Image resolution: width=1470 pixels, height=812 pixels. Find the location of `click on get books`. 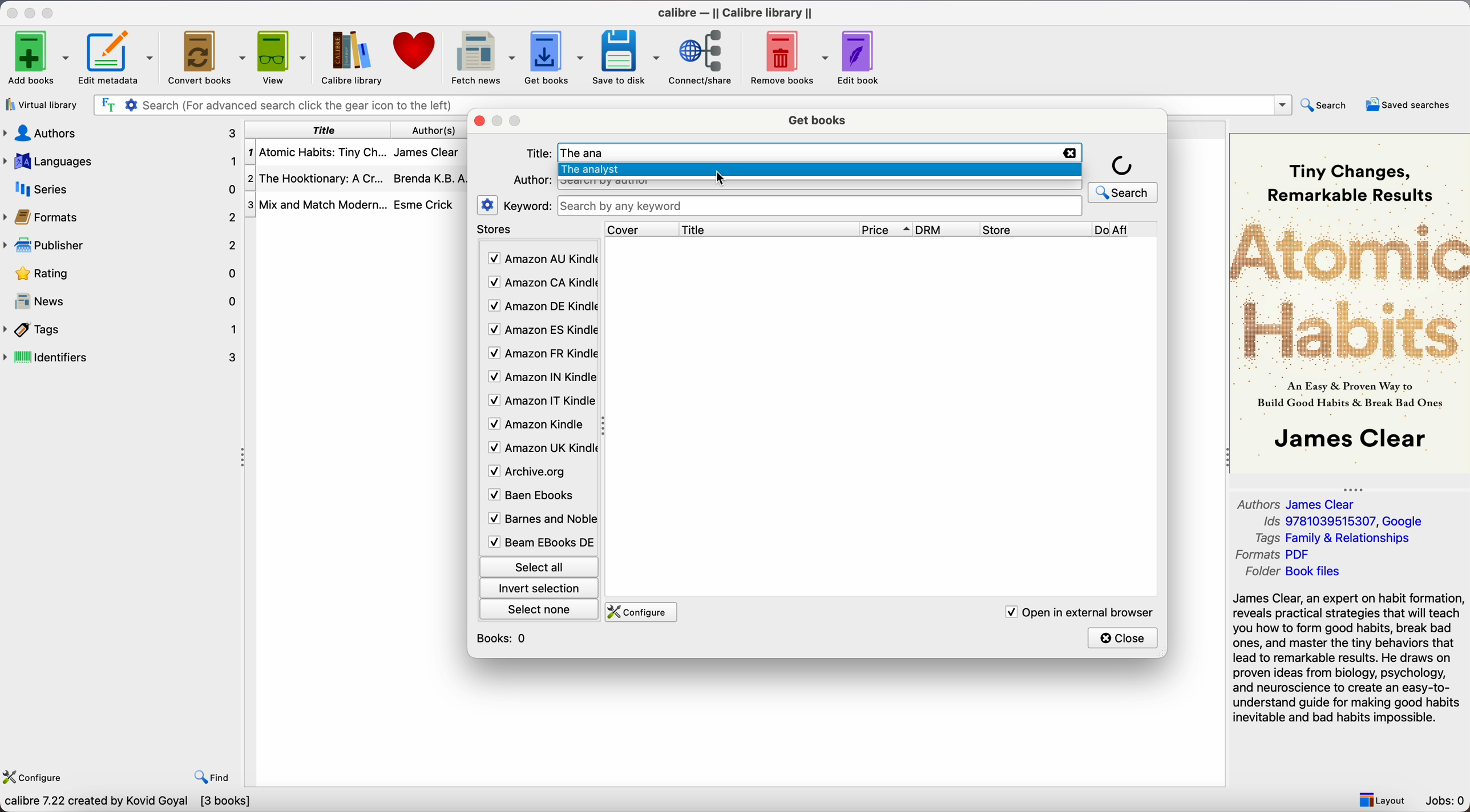

click on get books is located at coordinates (551, 58).